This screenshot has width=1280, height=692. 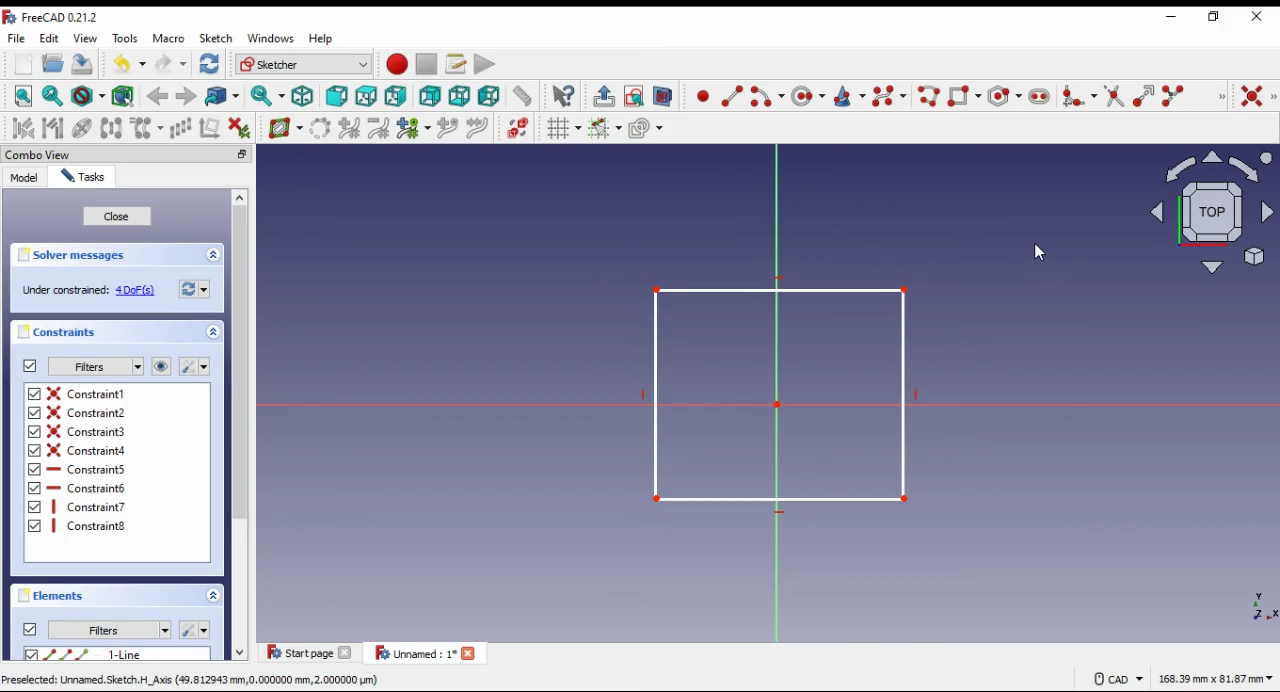 I want to click on macro, so click(x=169, y=38).